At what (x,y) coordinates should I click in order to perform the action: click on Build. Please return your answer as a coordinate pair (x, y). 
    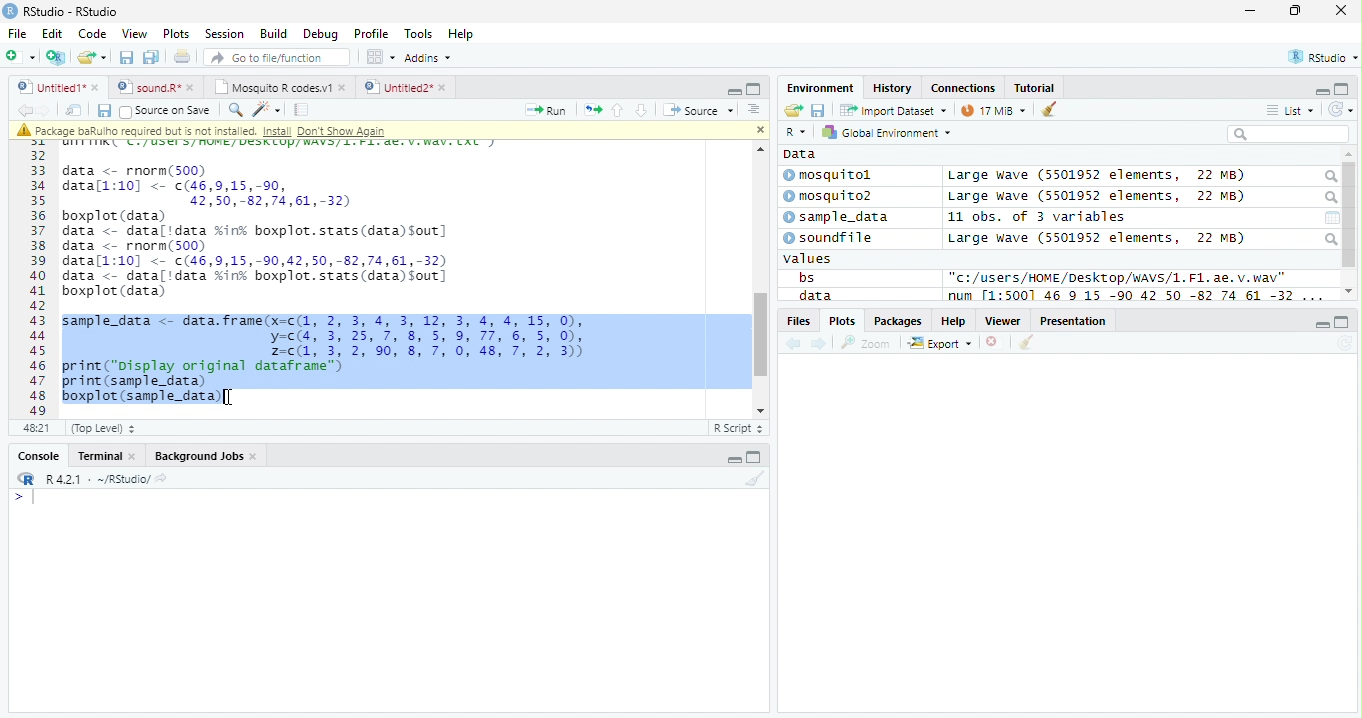
    Looking at the image, I should click on (274, 33).